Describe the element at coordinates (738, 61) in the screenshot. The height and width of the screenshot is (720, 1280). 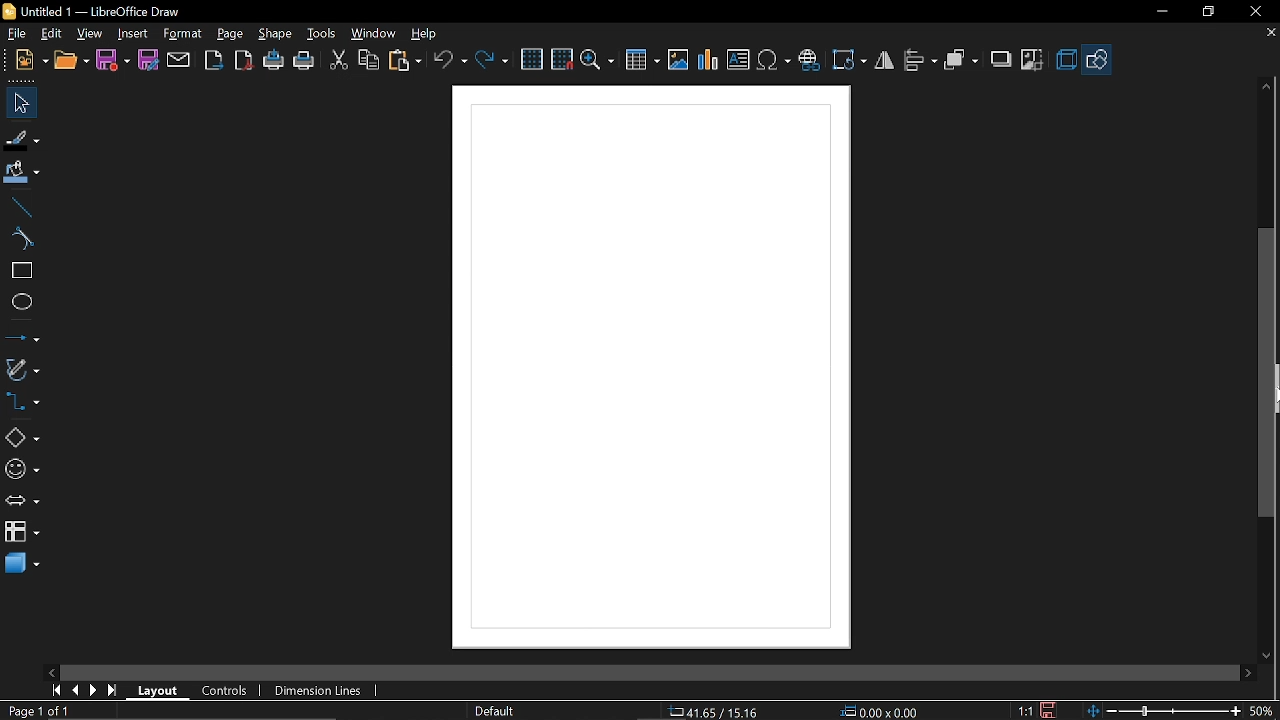
I see `Insert text` at that location.